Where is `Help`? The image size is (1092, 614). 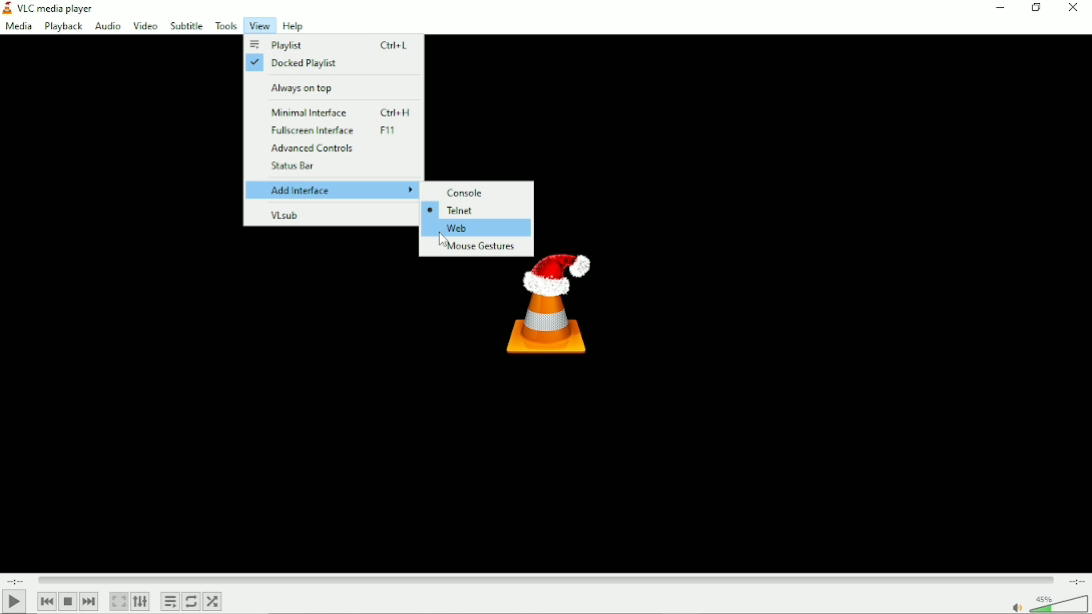 Help is located at coordinates (292, 26).